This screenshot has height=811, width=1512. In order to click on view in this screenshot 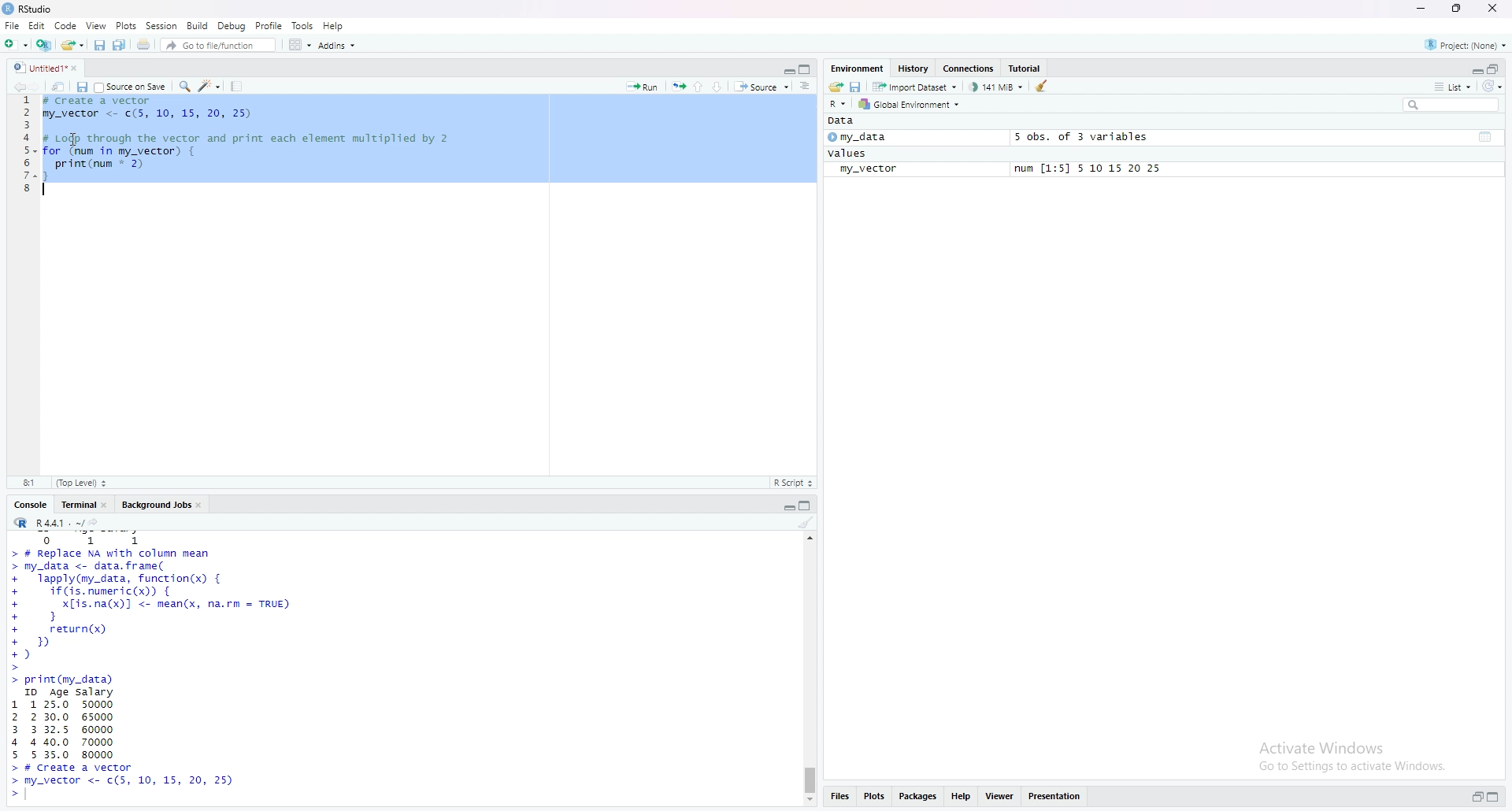, I will do `click(97, 26)`.